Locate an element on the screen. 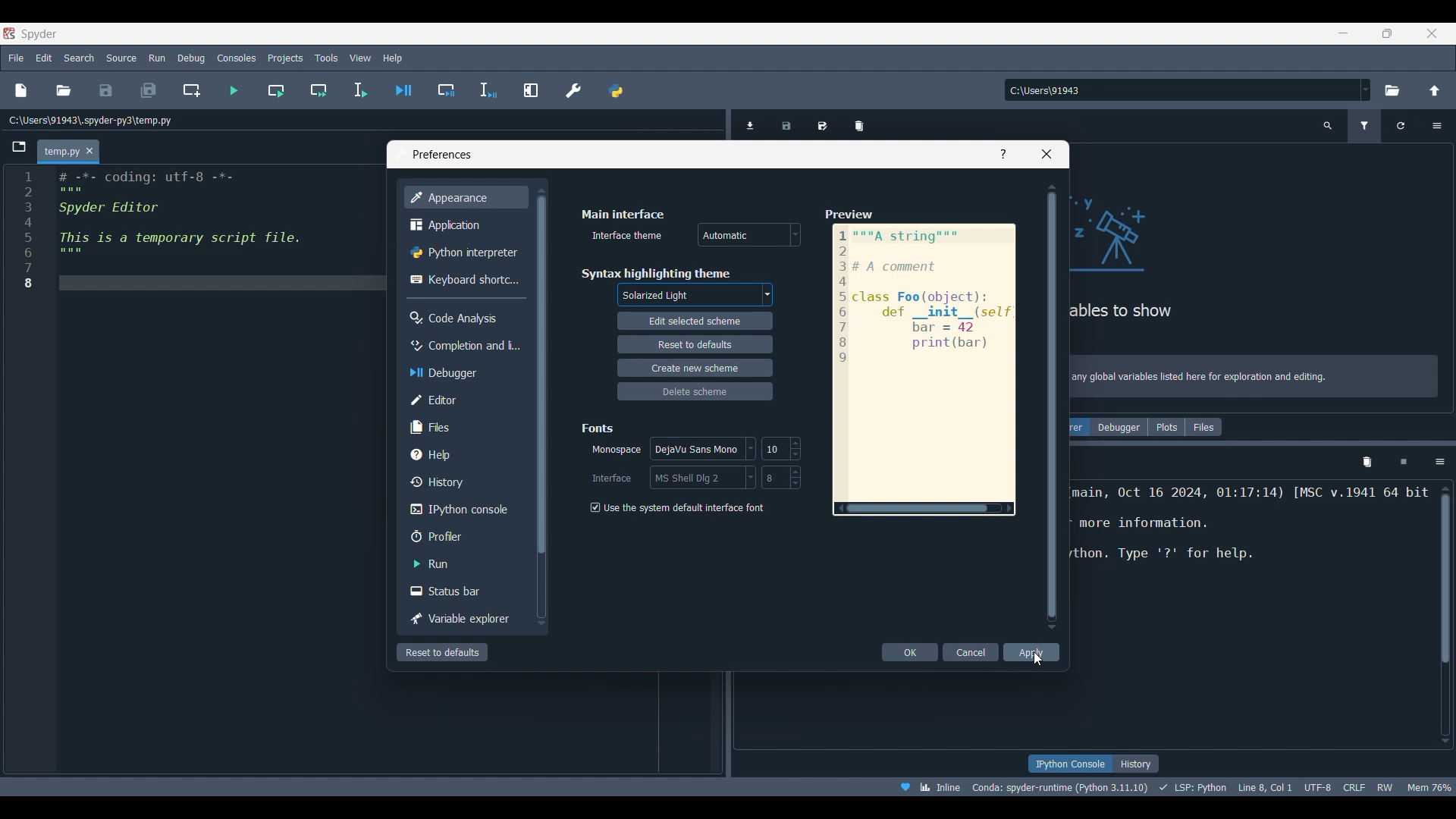  Cancel is located at coordinates (971, 652).